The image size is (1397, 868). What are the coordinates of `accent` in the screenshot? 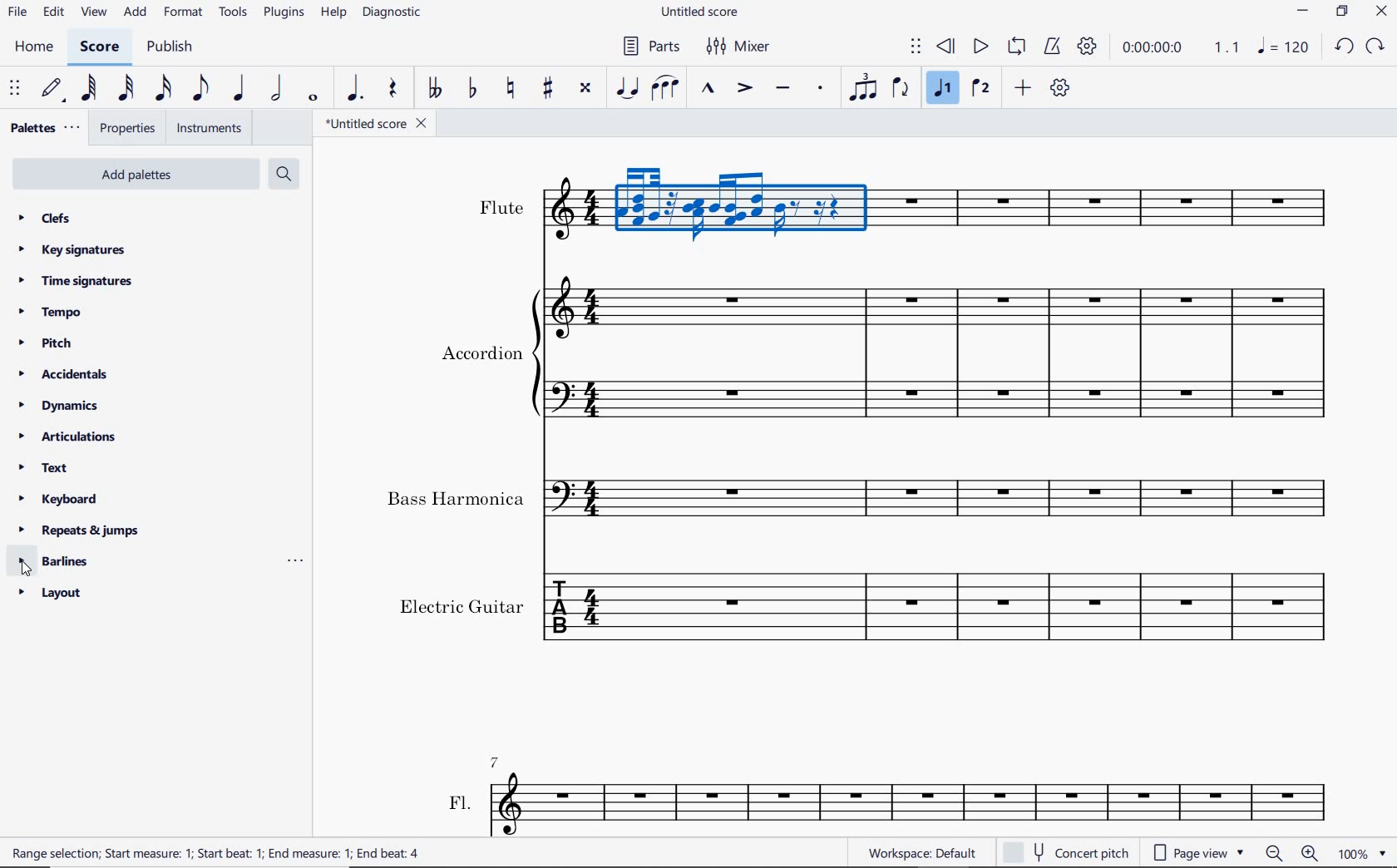 It's located at (745, 89).